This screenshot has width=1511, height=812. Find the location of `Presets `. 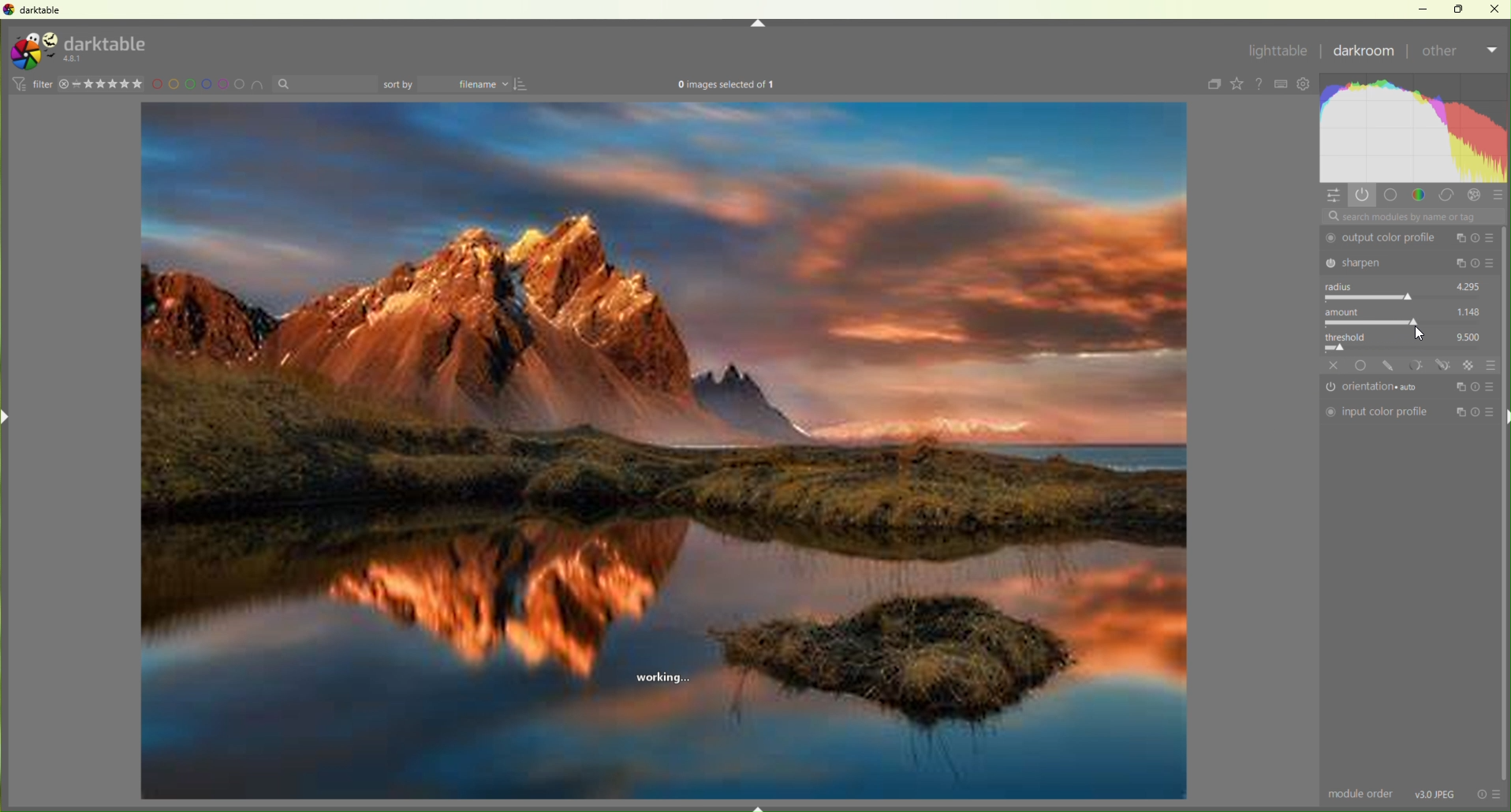

Presets  is located at coordinates (1499, 197).